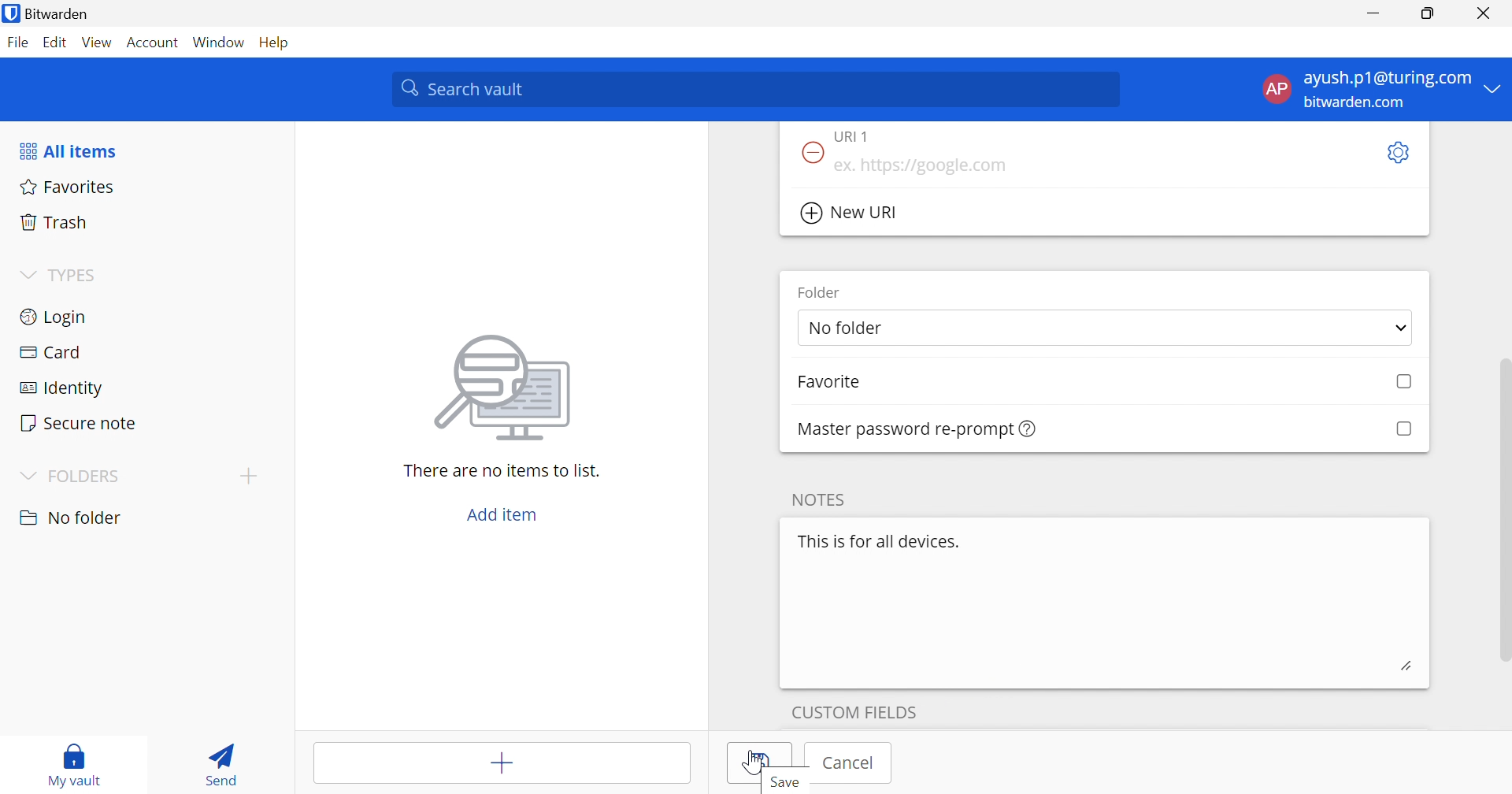  Describe the element at coordinates (70, 518) in the screenshot. I see `nO FOLDER` at that location.